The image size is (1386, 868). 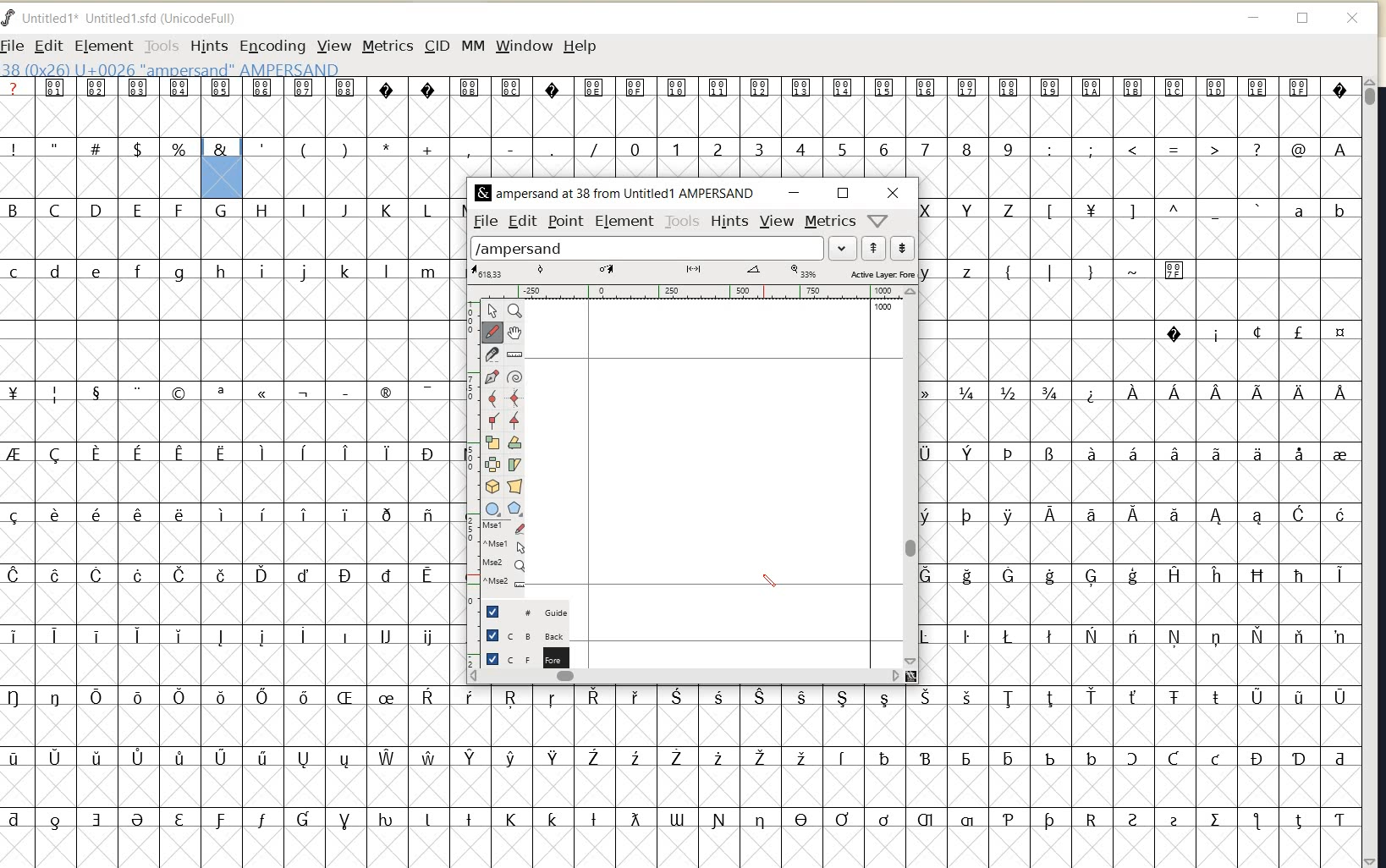 What do you see at coordinates (435, 45) in the screenshot?
I see `CID` at bounding box center [435, 45].